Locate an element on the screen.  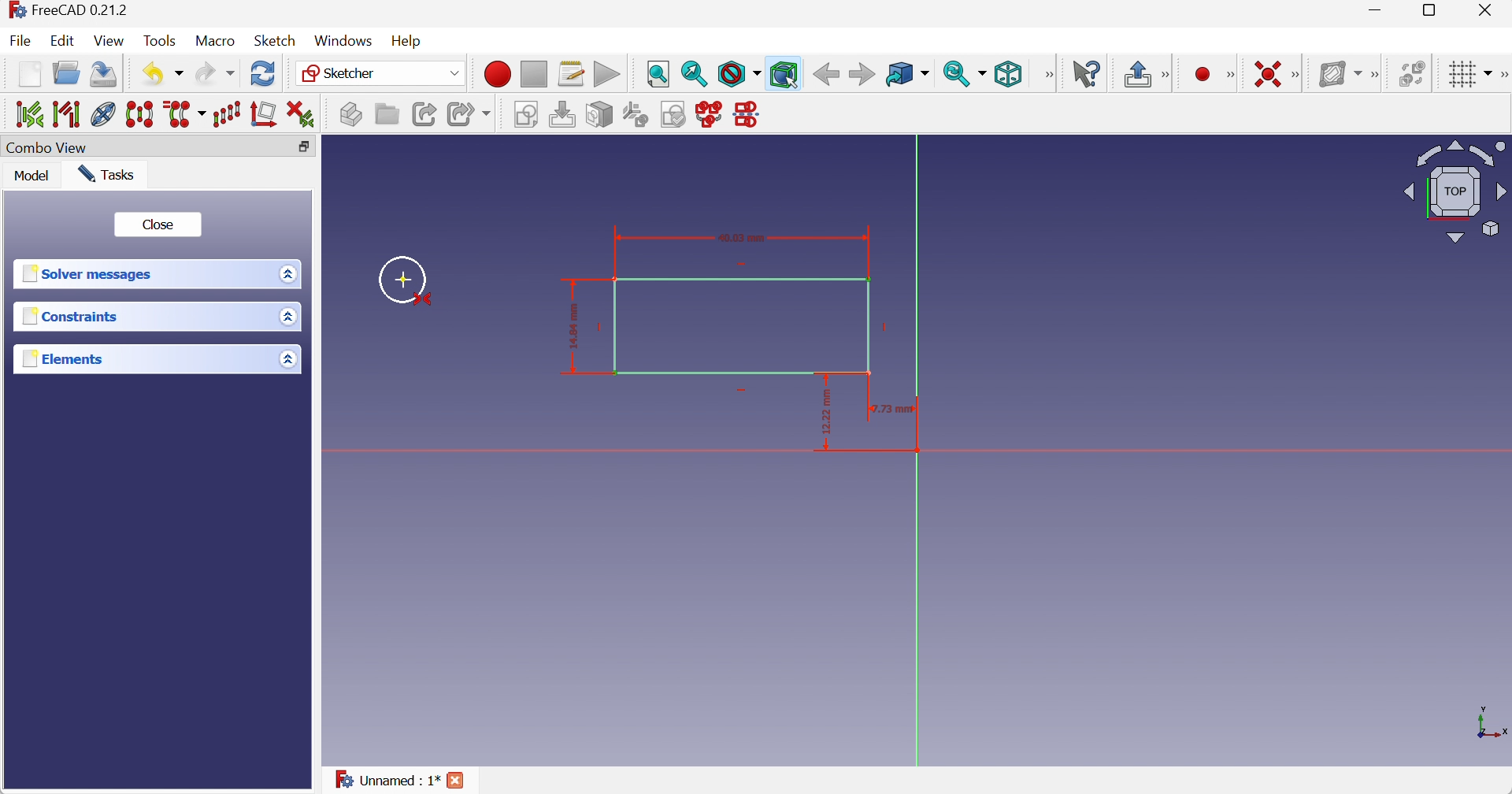
Execute macro is located at coordinates (606, 74).